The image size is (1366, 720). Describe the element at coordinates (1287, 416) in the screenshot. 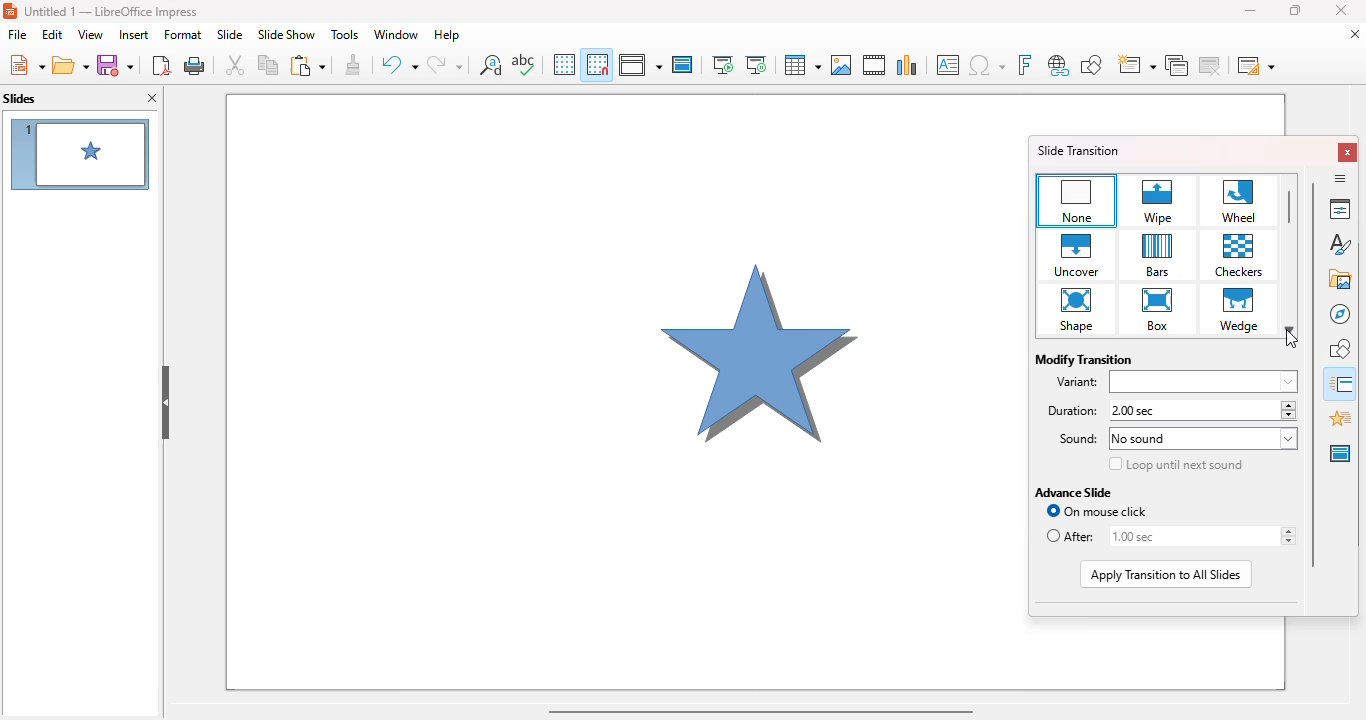

I see `decrease duration` at that location.